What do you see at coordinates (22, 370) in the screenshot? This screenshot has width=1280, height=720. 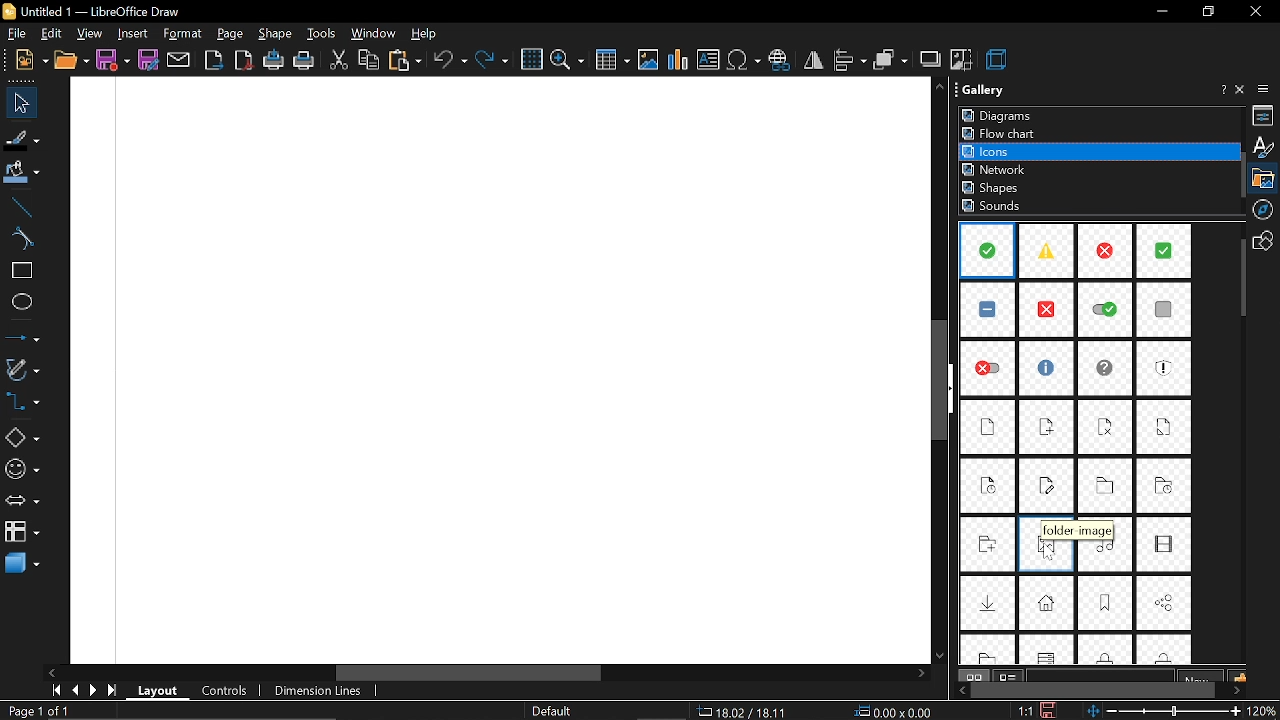 I see `curves and polygons` at bounding box center [22, 370].